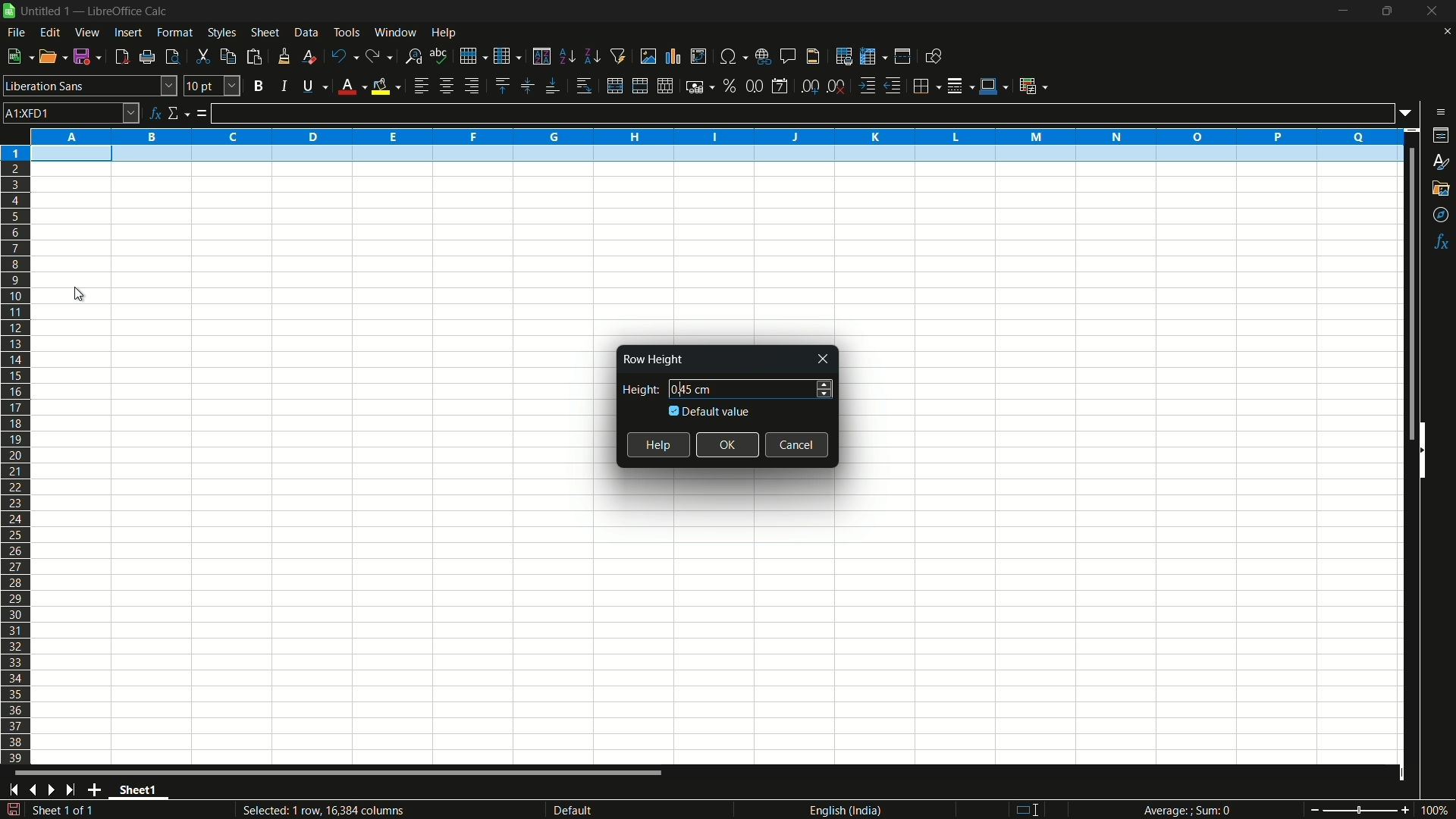 The image size is (1456, 819). I want to click on merge and center or unmerge depending on the current toggle state, so click(613, 86).